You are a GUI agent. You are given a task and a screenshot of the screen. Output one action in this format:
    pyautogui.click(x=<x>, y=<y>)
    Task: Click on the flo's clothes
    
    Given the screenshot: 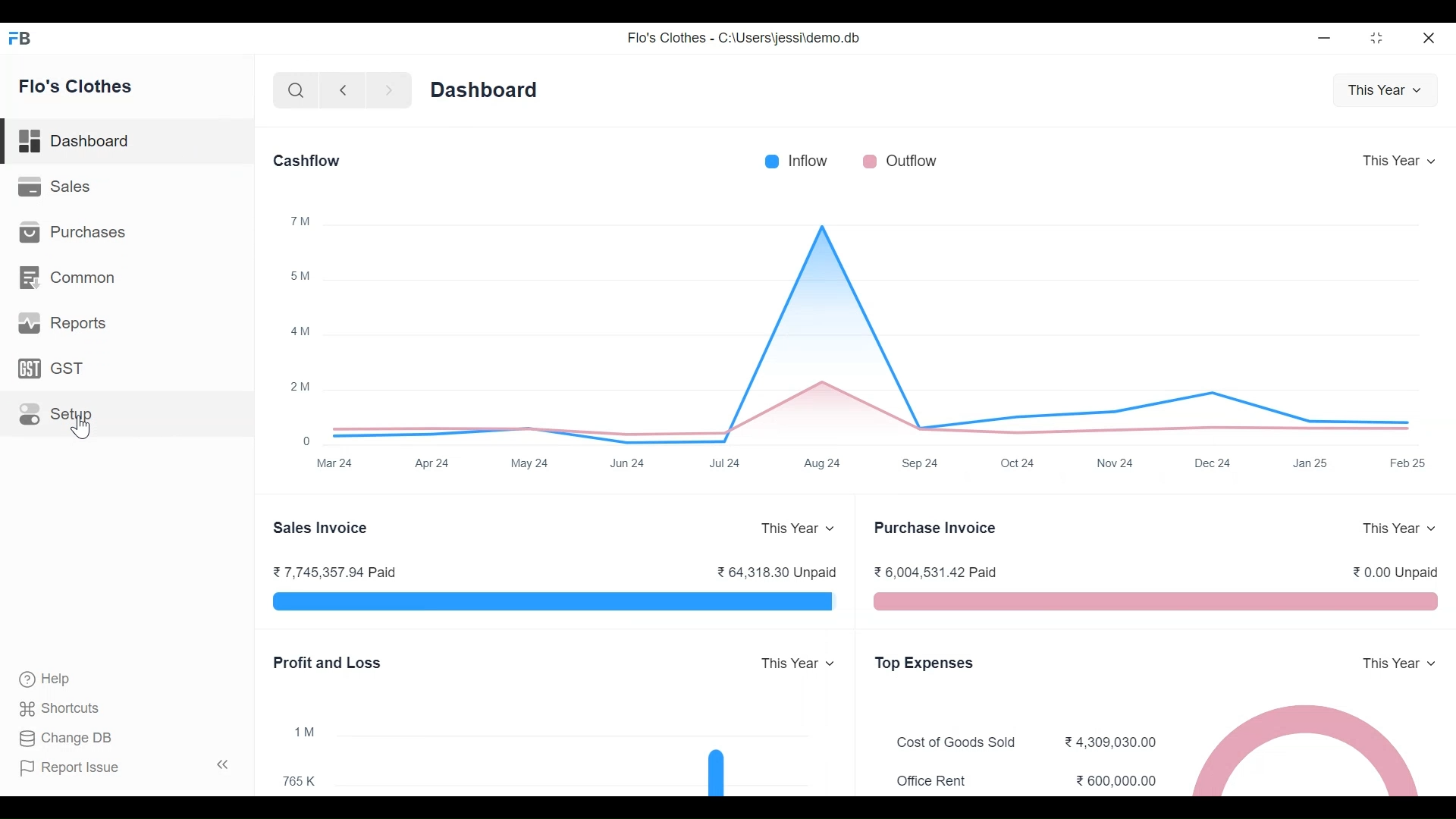 What is the action you would take?
    pyautogui.click(x=76, y=86)
    